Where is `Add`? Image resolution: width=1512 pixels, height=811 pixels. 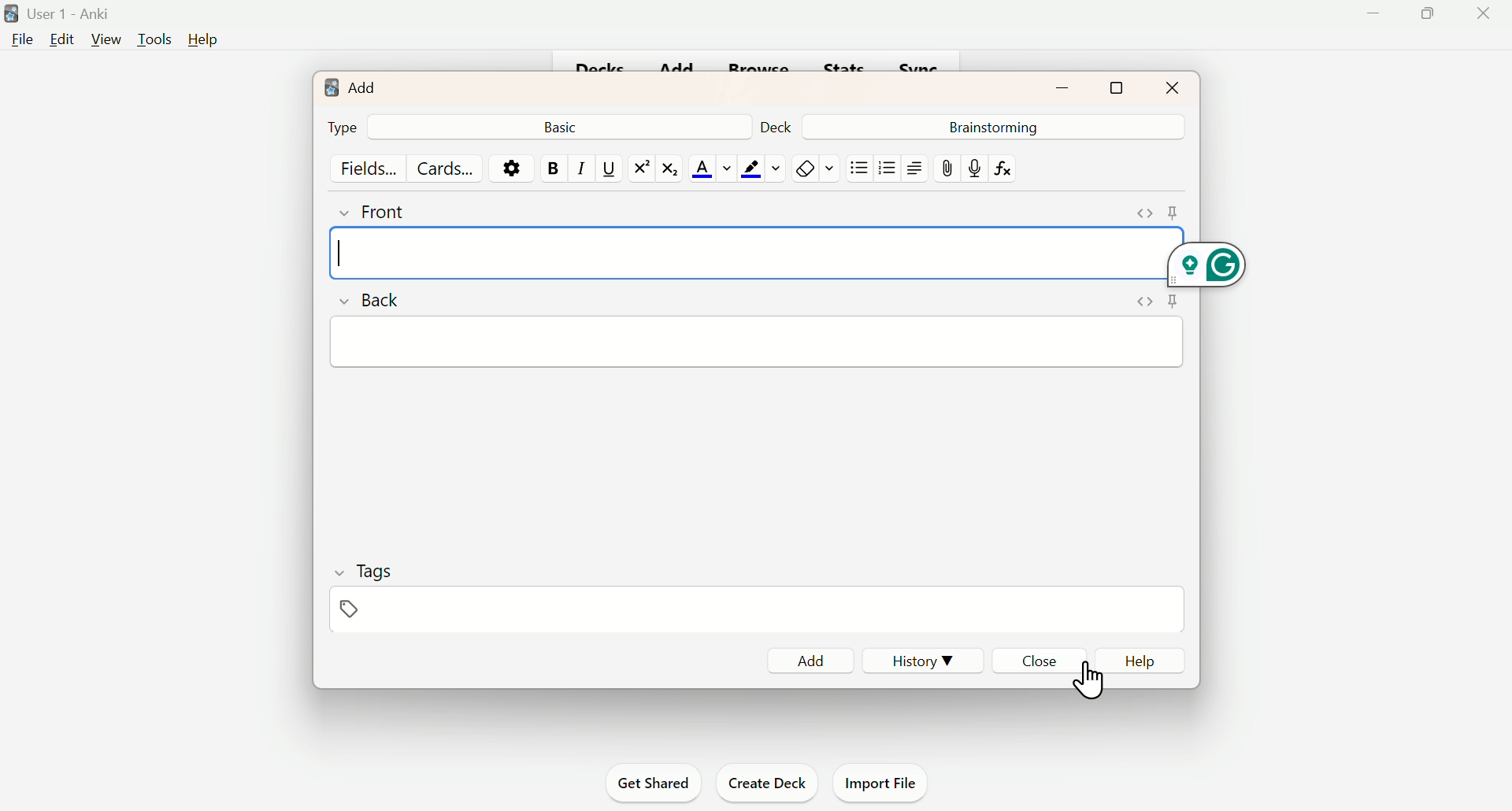
Add is located at coordinates (352, 86).